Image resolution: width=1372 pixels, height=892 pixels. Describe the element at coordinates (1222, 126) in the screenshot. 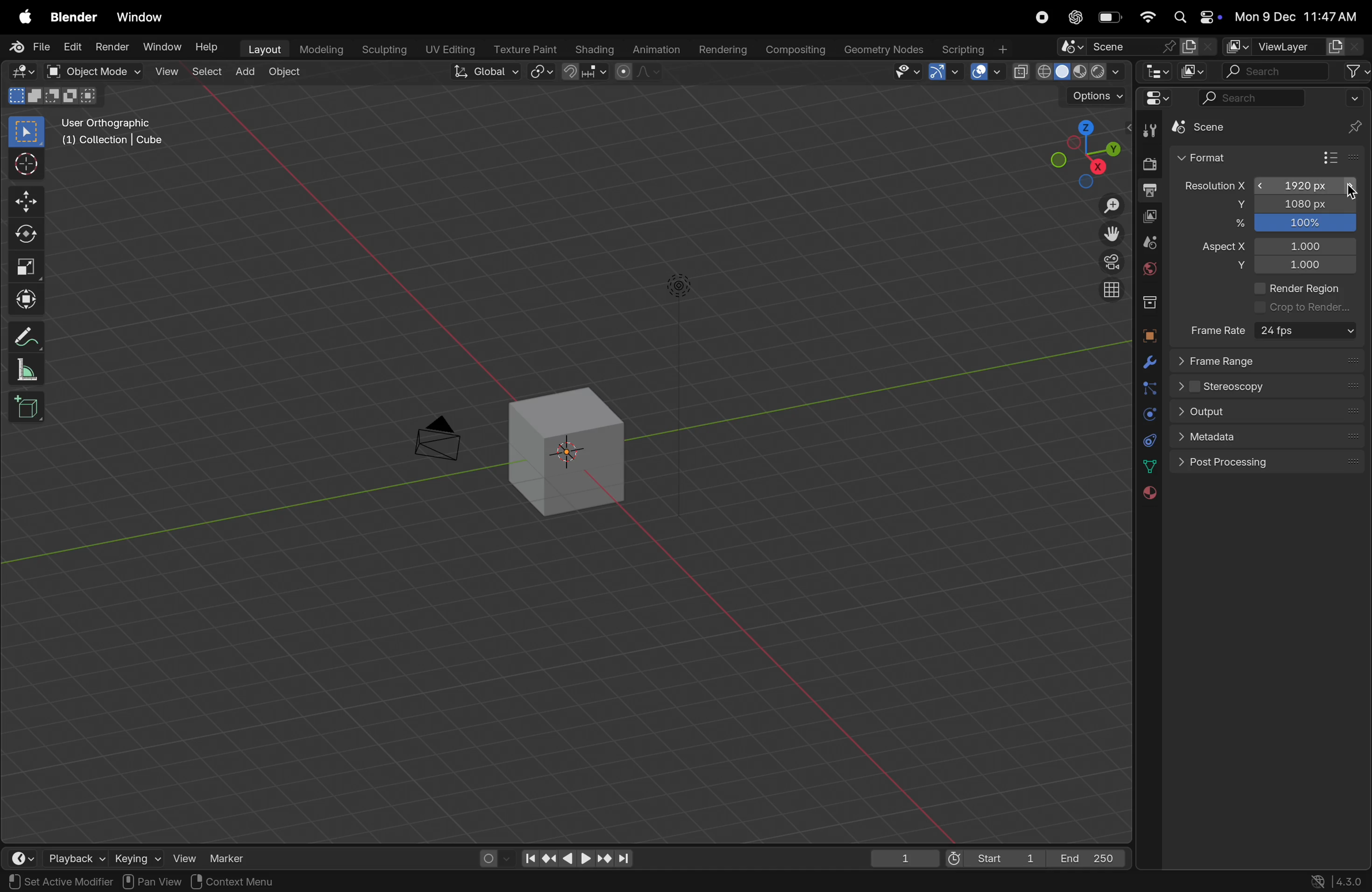

I see `scene` at that location.